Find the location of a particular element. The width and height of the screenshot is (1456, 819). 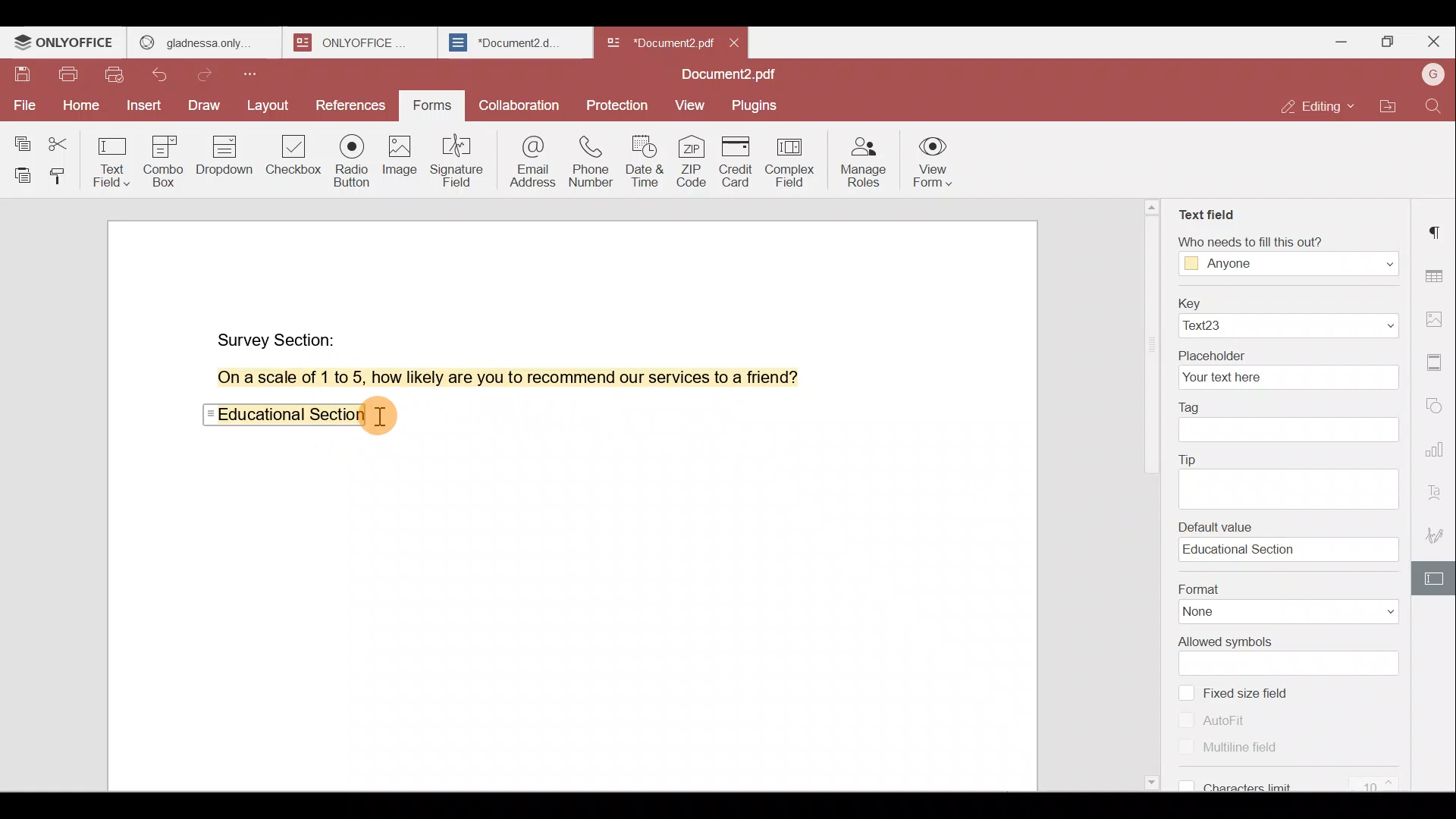

Copy is located at coordinates (21, 137).